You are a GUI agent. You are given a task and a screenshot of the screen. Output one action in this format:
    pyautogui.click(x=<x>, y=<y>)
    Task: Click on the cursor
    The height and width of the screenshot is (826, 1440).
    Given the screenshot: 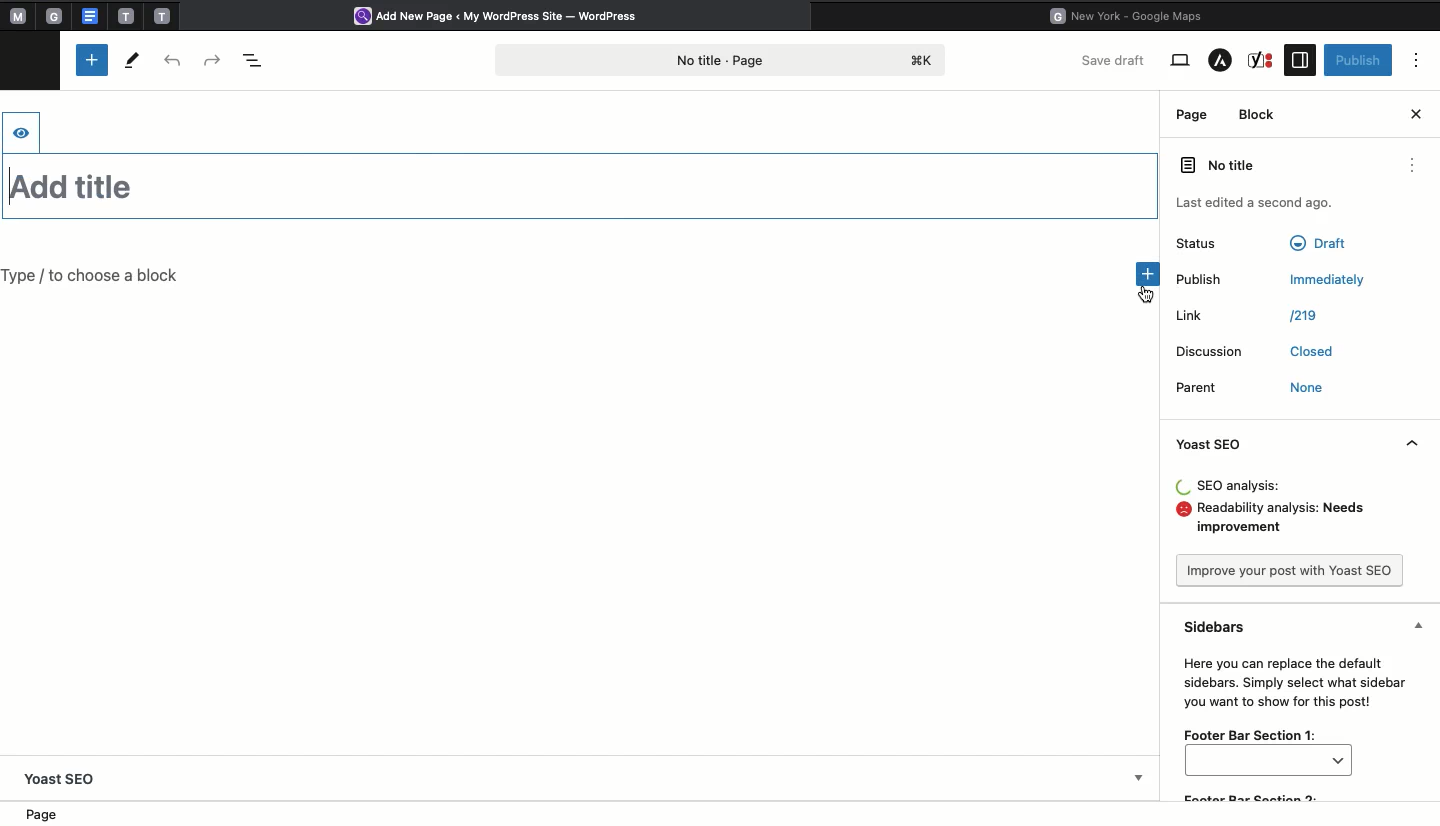 What is the action you would take?
    pyautogui.click(x=1146, y=296)
    